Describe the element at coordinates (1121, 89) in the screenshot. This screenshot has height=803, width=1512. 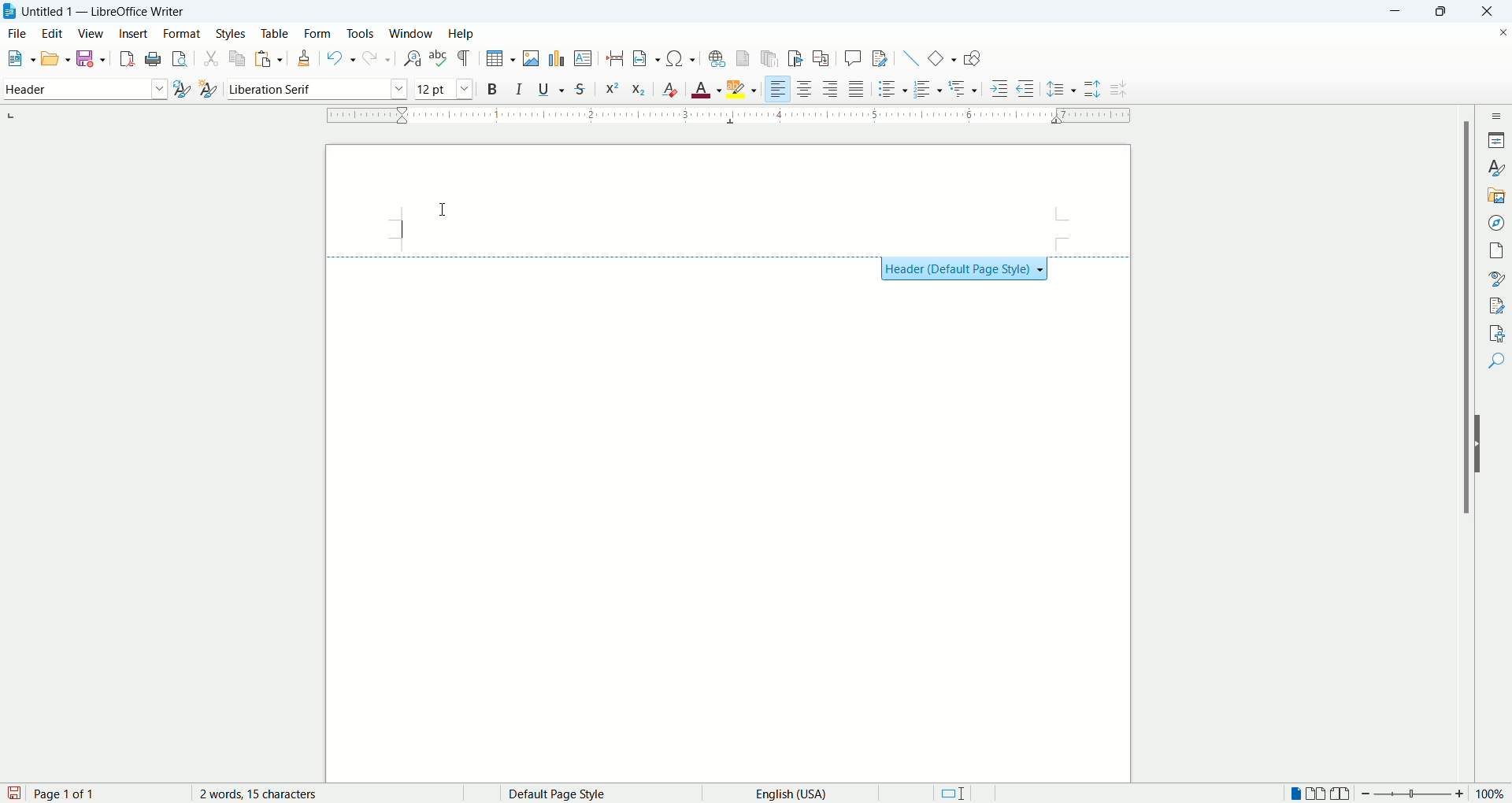
I see `decrease paragraph spacing` at that location.